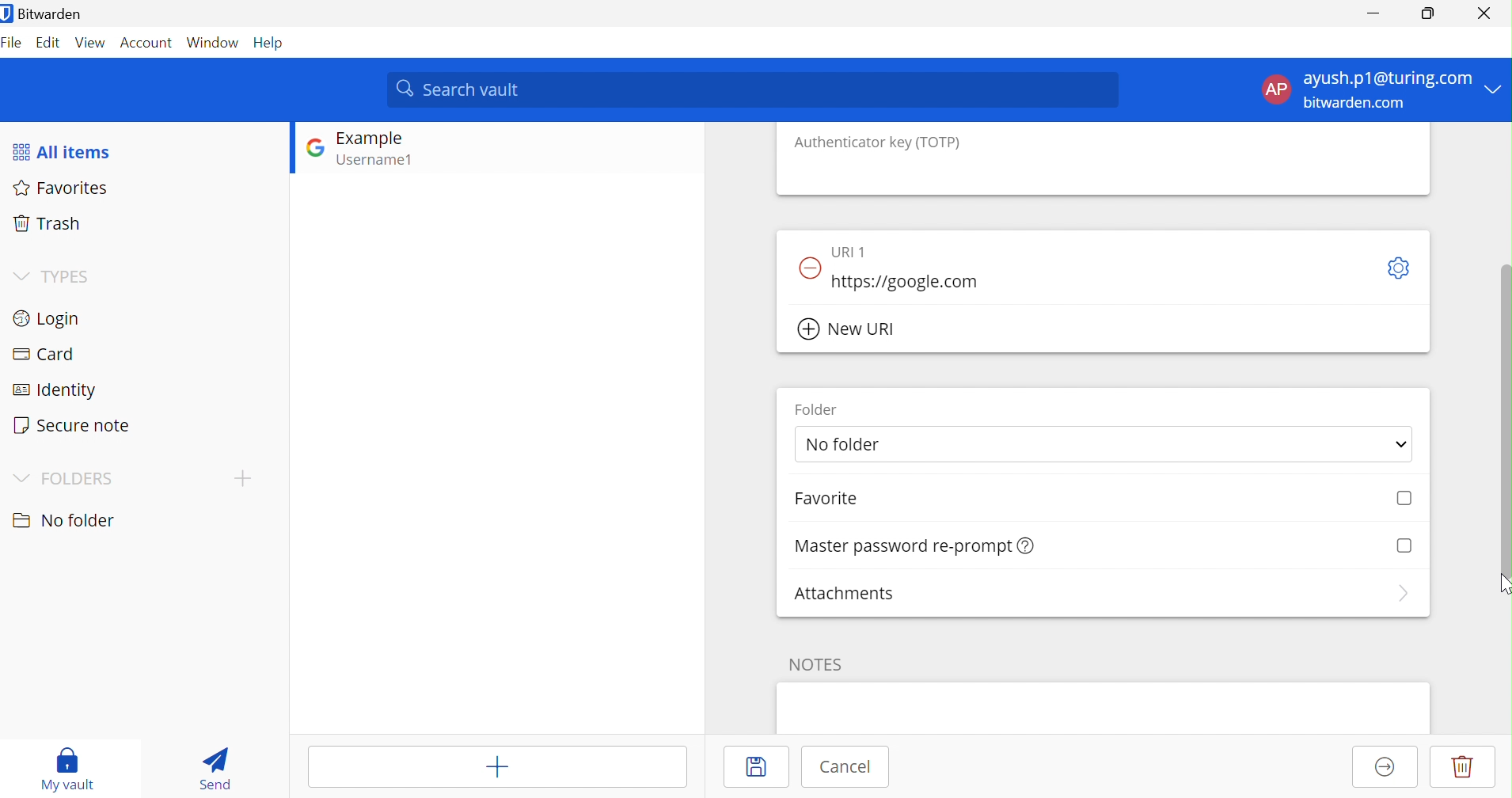 The height and width of the screenshot is (798, 1512). What do you see at coordinates (845, 768) in the screenshot?
I see `Cancel` at bounding box center [845, 768].